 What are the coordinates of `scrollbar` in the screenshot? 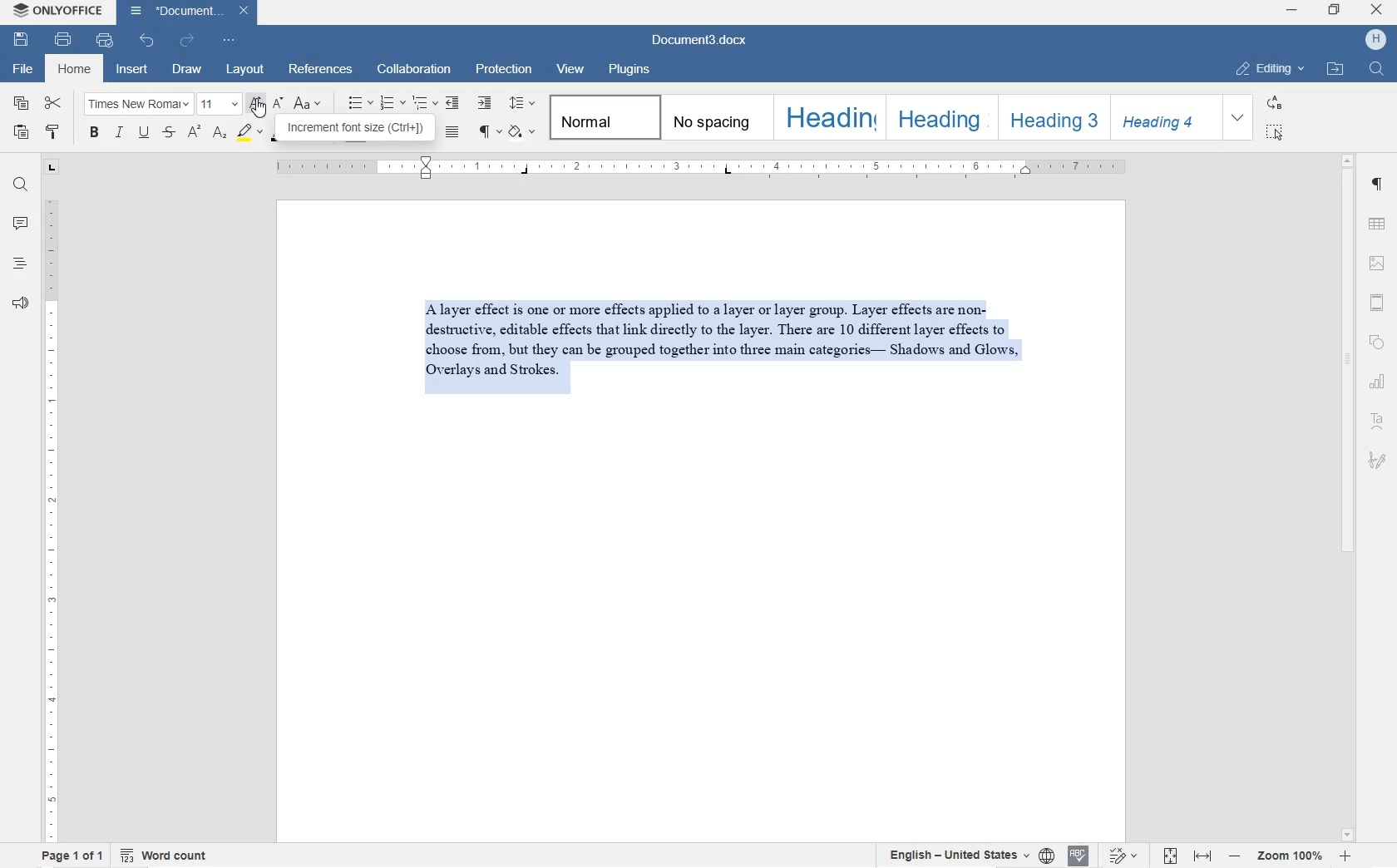 It's located at (1345, 497).